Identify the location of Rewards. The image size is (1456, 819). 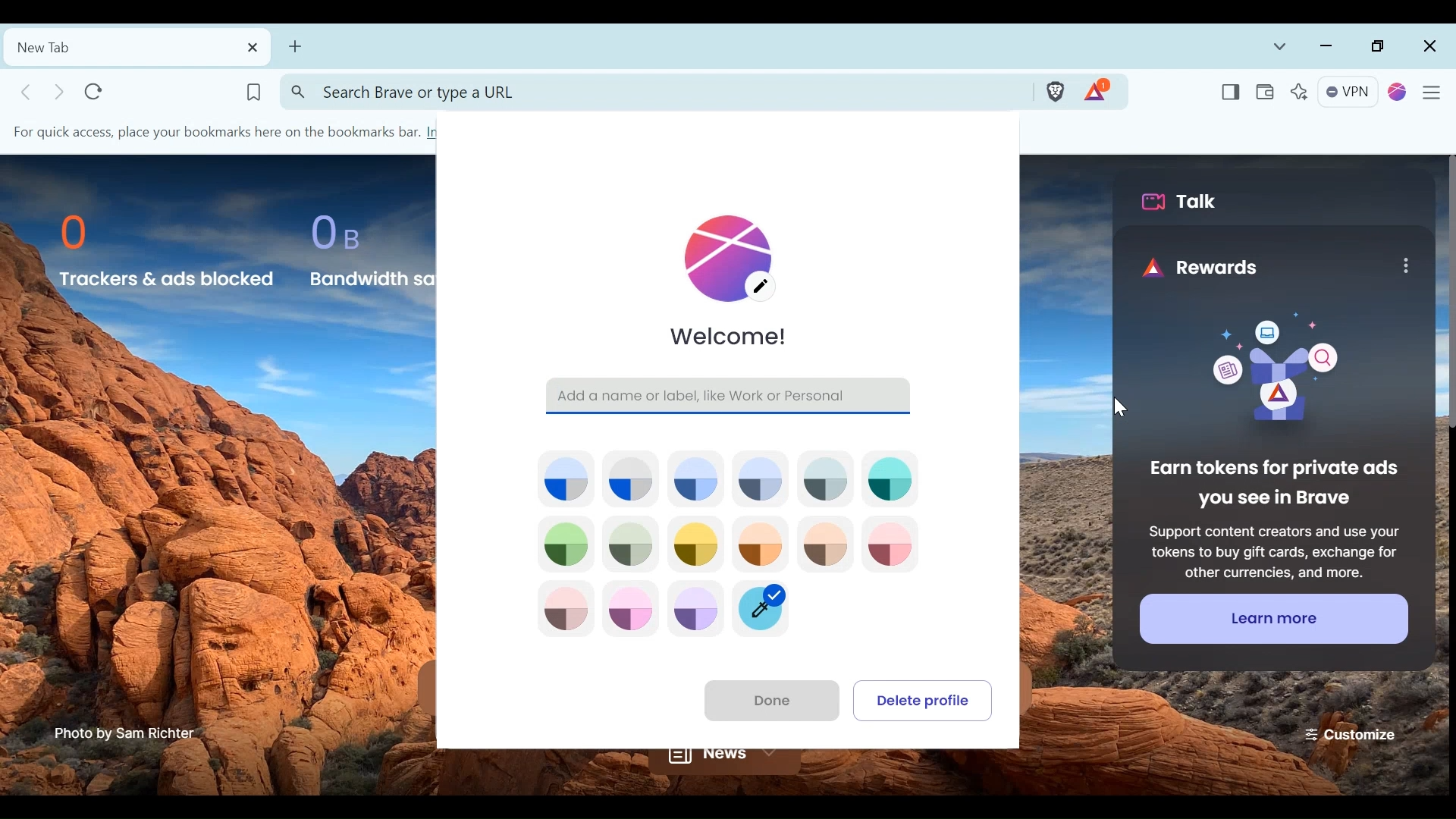
(1203, 268).